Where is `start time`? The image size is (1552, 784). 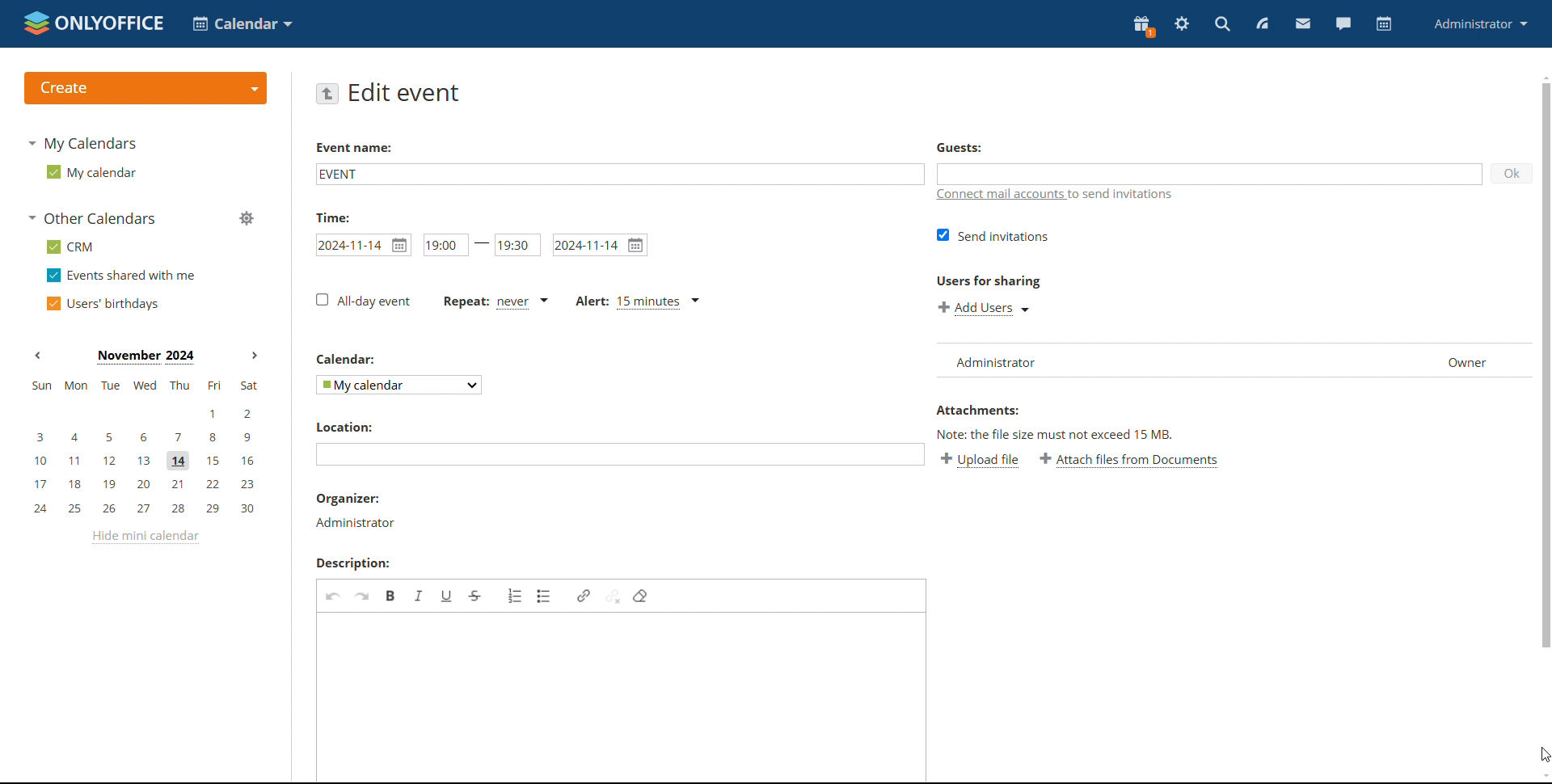 start time is located at coordinates (364, 245).